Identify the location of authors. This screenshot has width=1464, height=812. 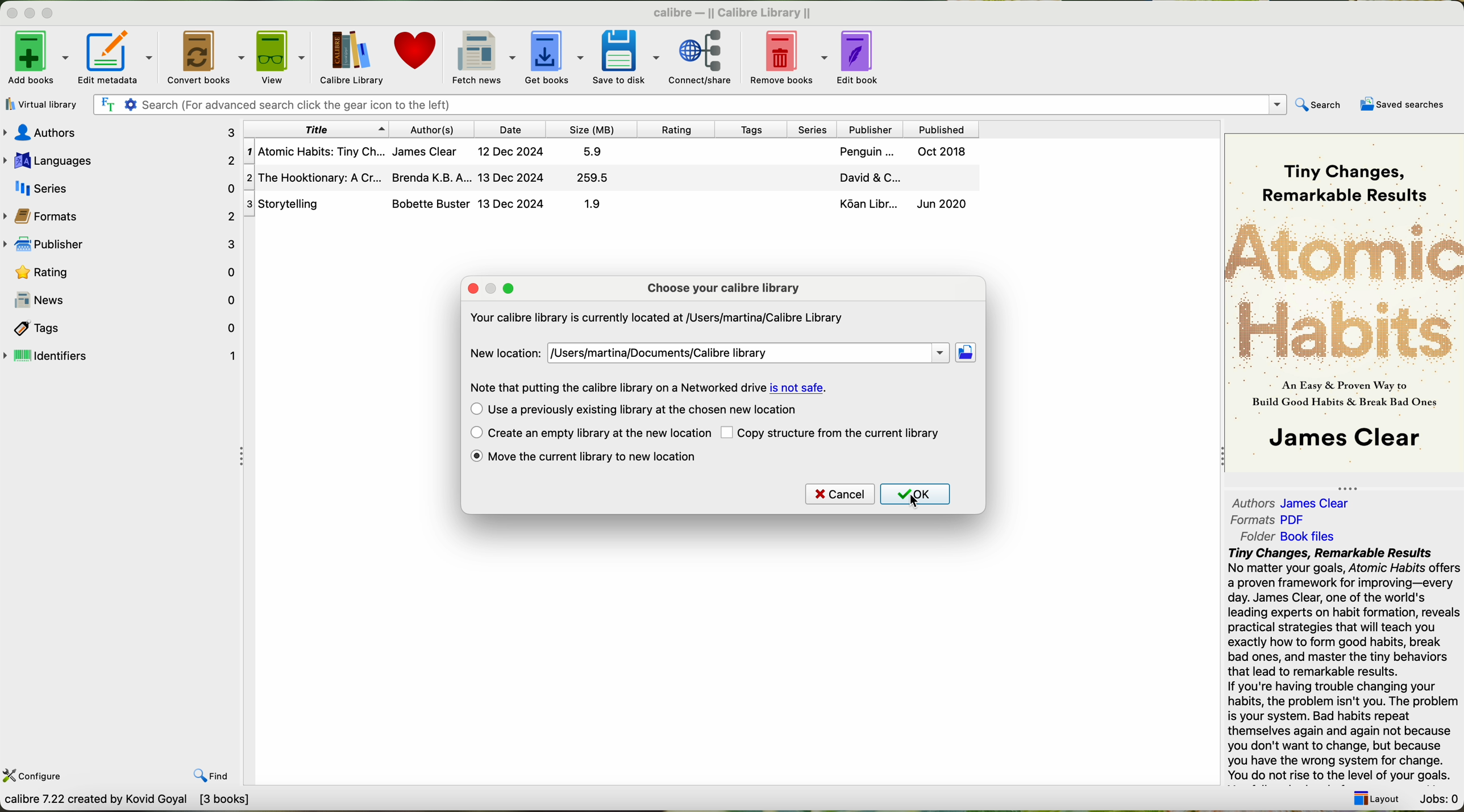
(1249, 501).